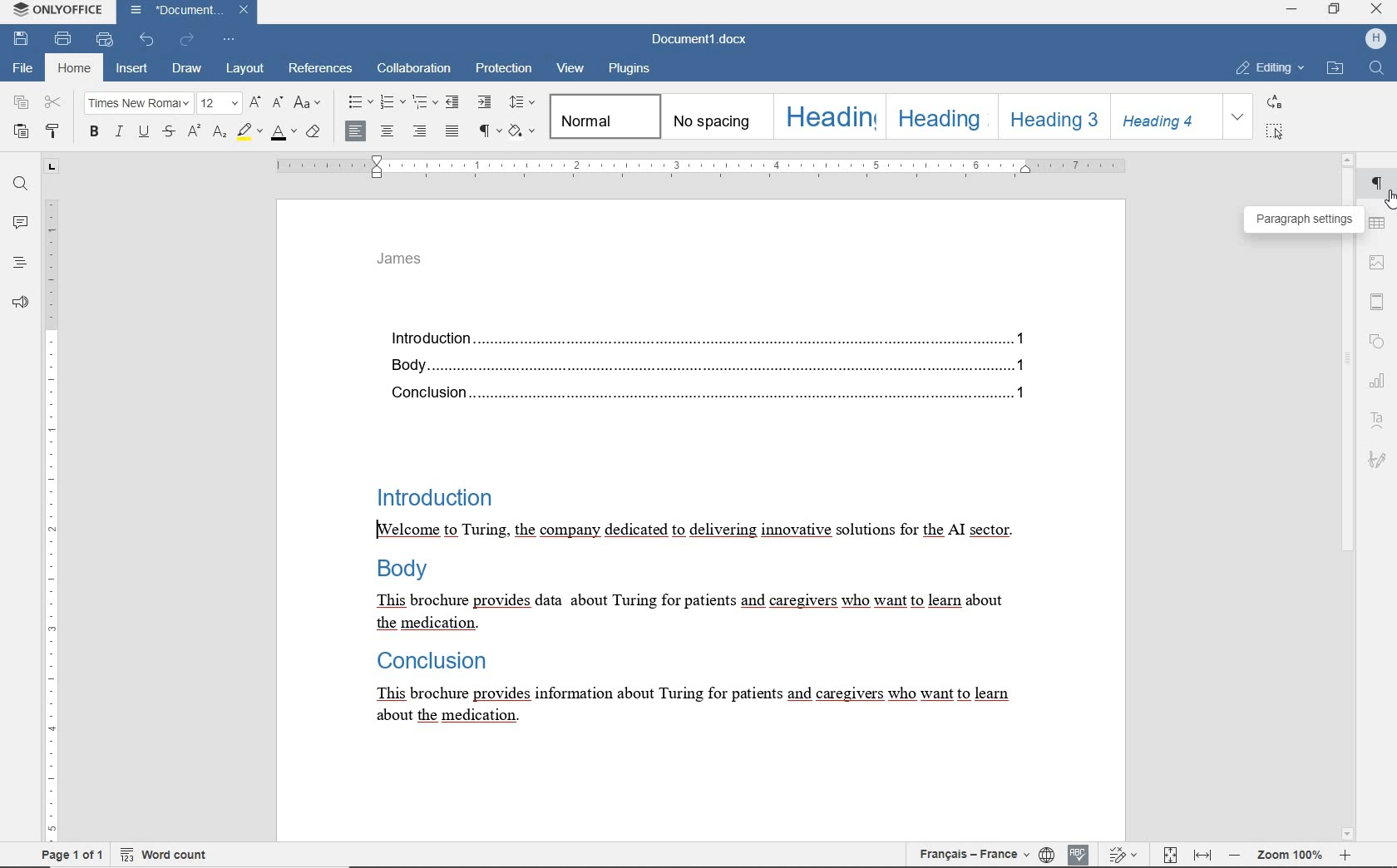 This screenshot has height=868, width=1397. I want to click on home, so click(74, 71).